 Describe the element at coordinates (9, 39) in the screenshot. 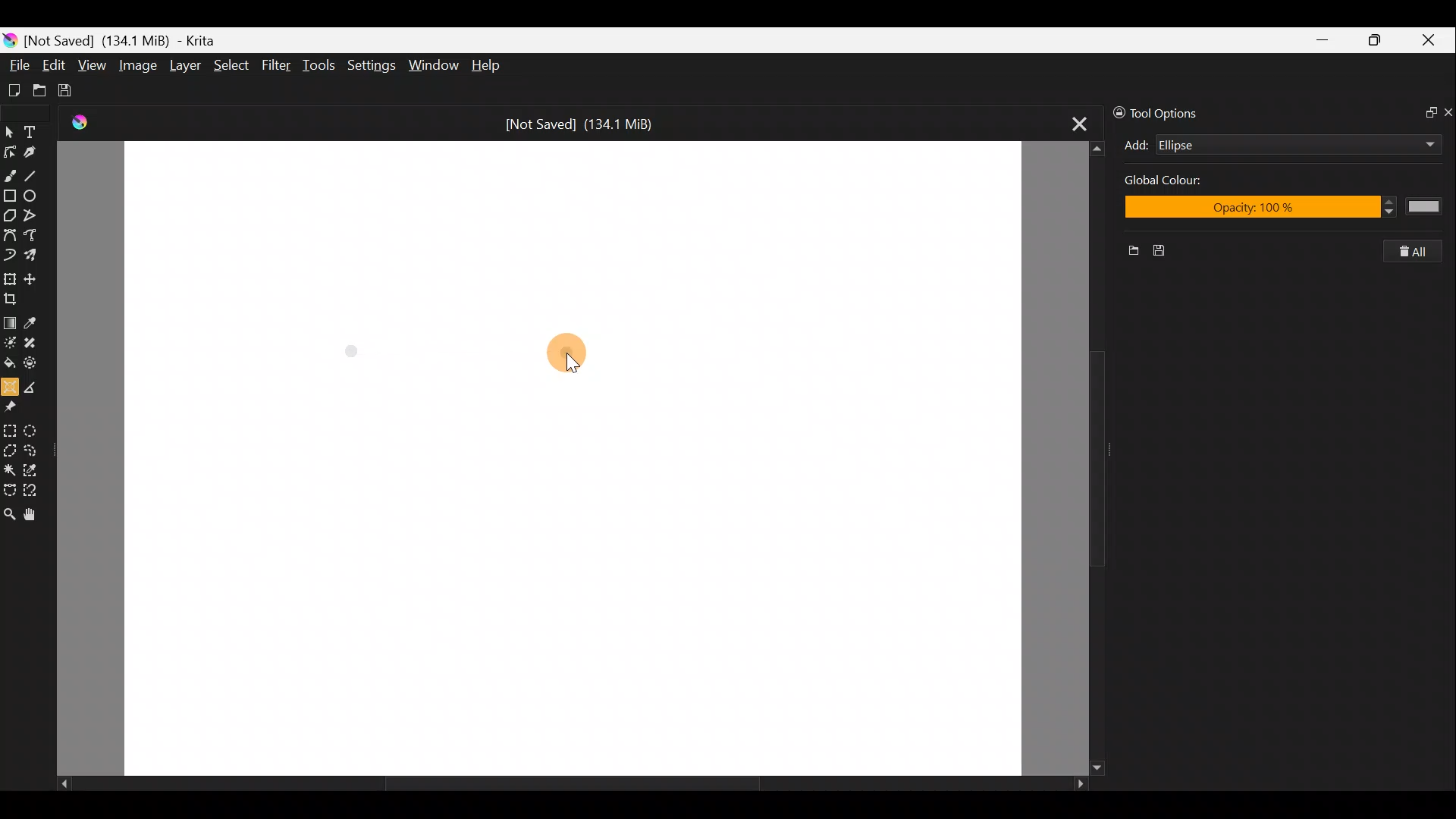

I see `Krita logo` at that location.